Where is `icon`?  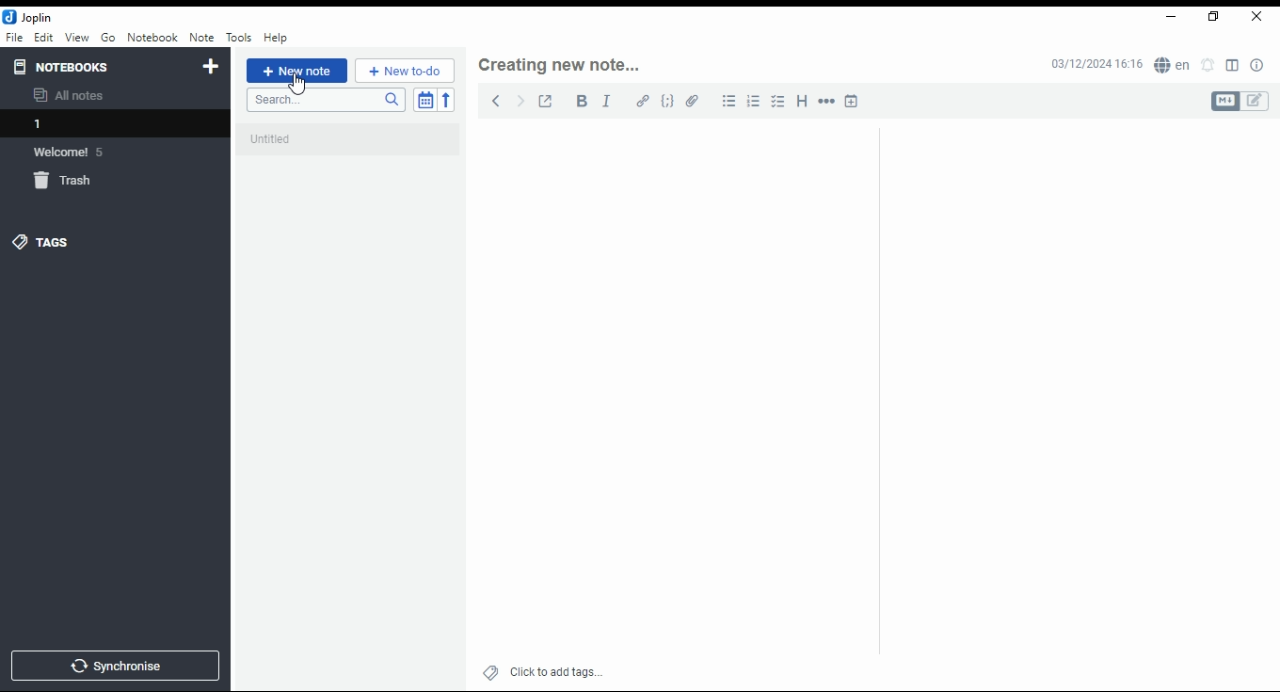 icon is located at coordinates (30, 17).